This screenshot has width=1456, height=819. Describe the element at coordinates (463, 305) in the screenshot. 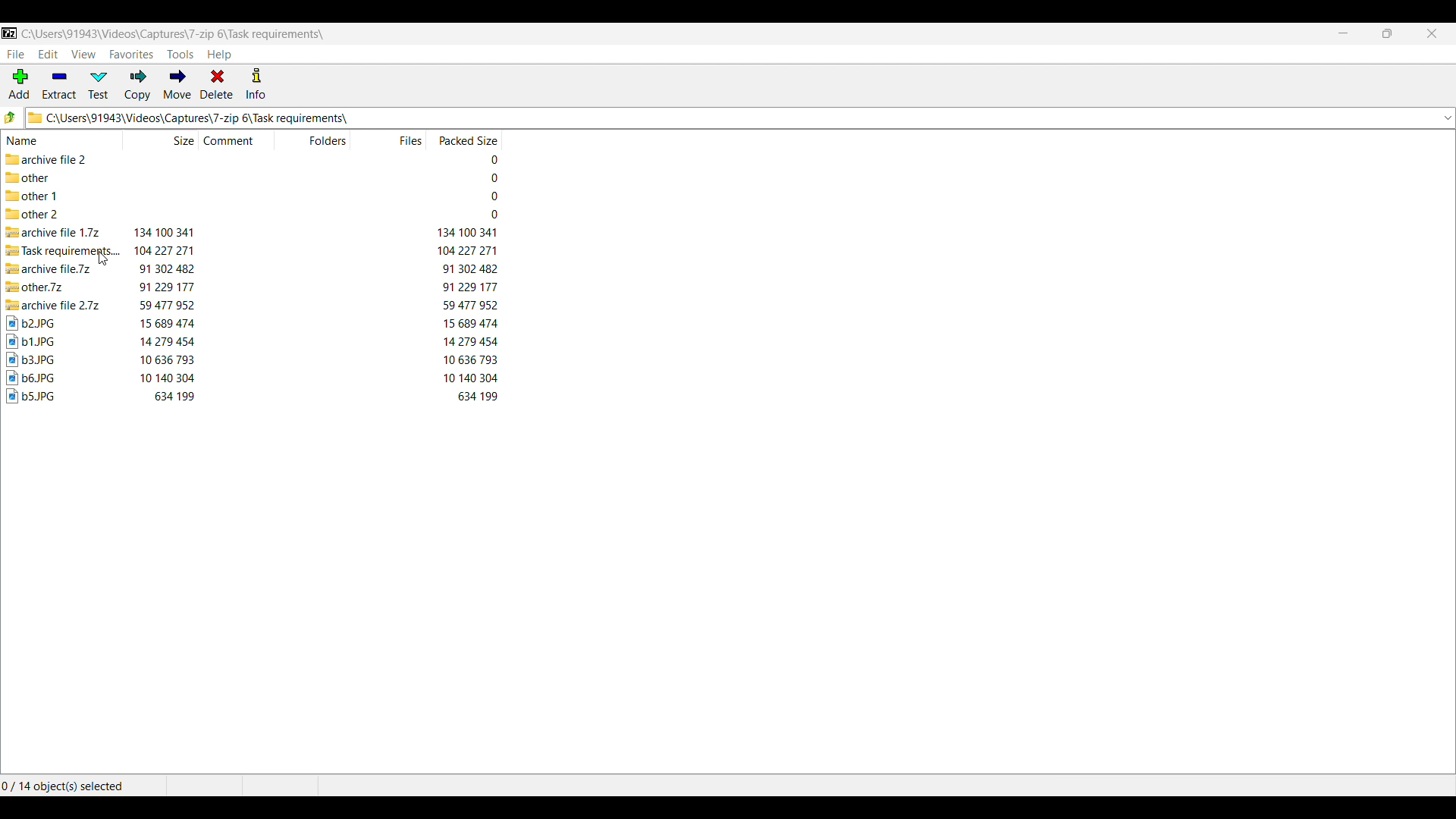

I see `packed size` at that location.